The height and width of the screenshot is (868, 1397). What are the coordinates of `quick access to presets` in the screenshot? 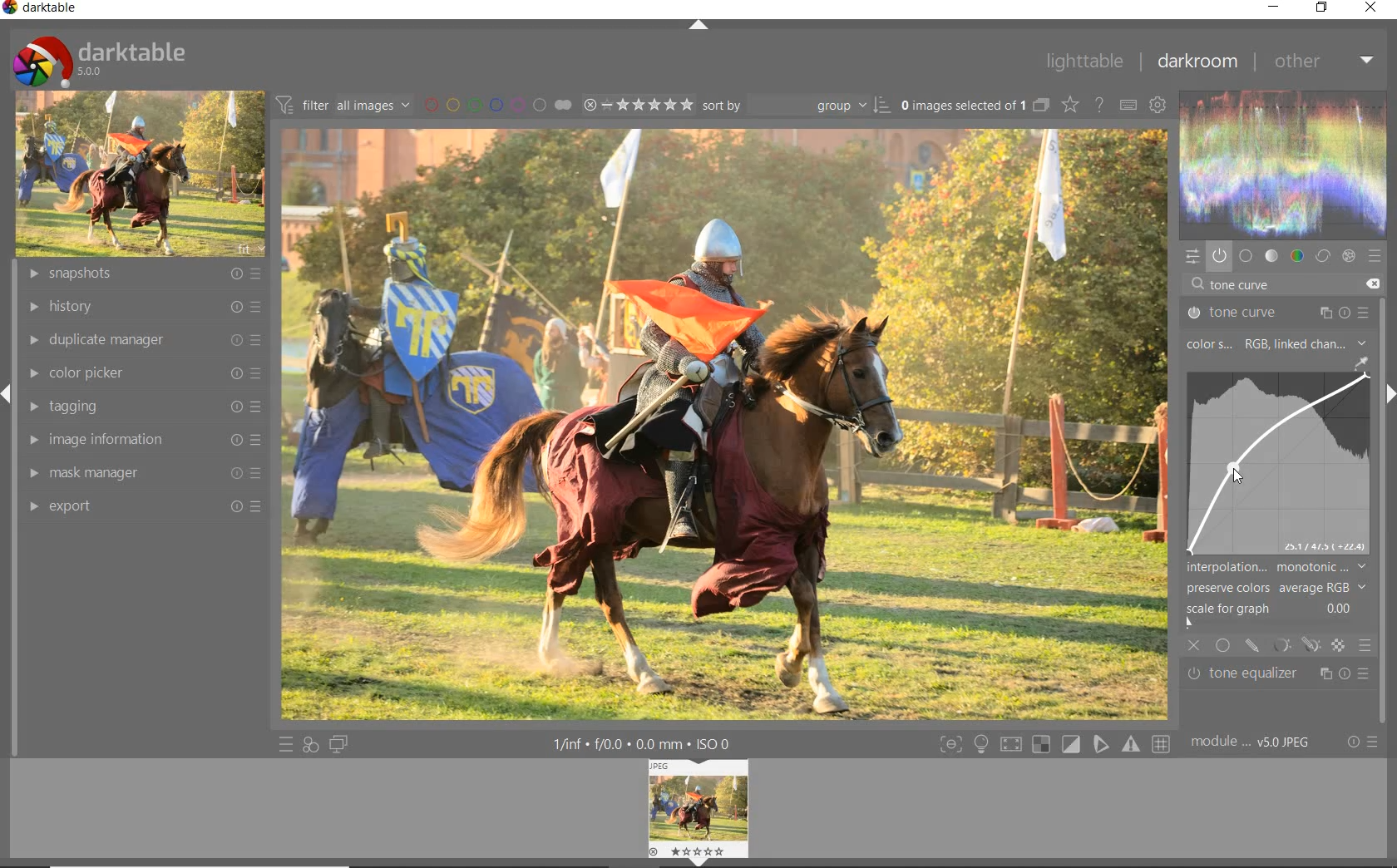 It's located at (286, 745).